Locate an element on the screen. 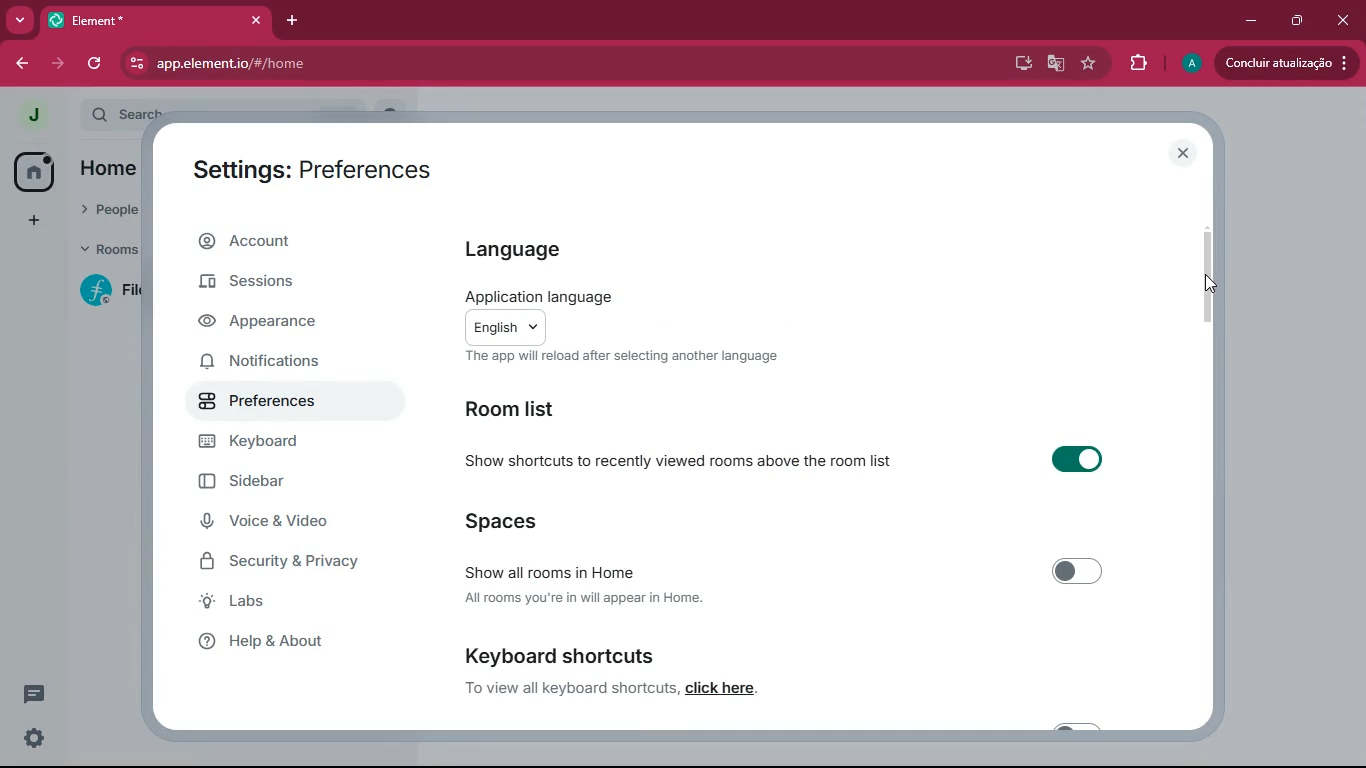 The height and width of the screenshot is (768, 1366). appearance is located at coordinates (273, 324).